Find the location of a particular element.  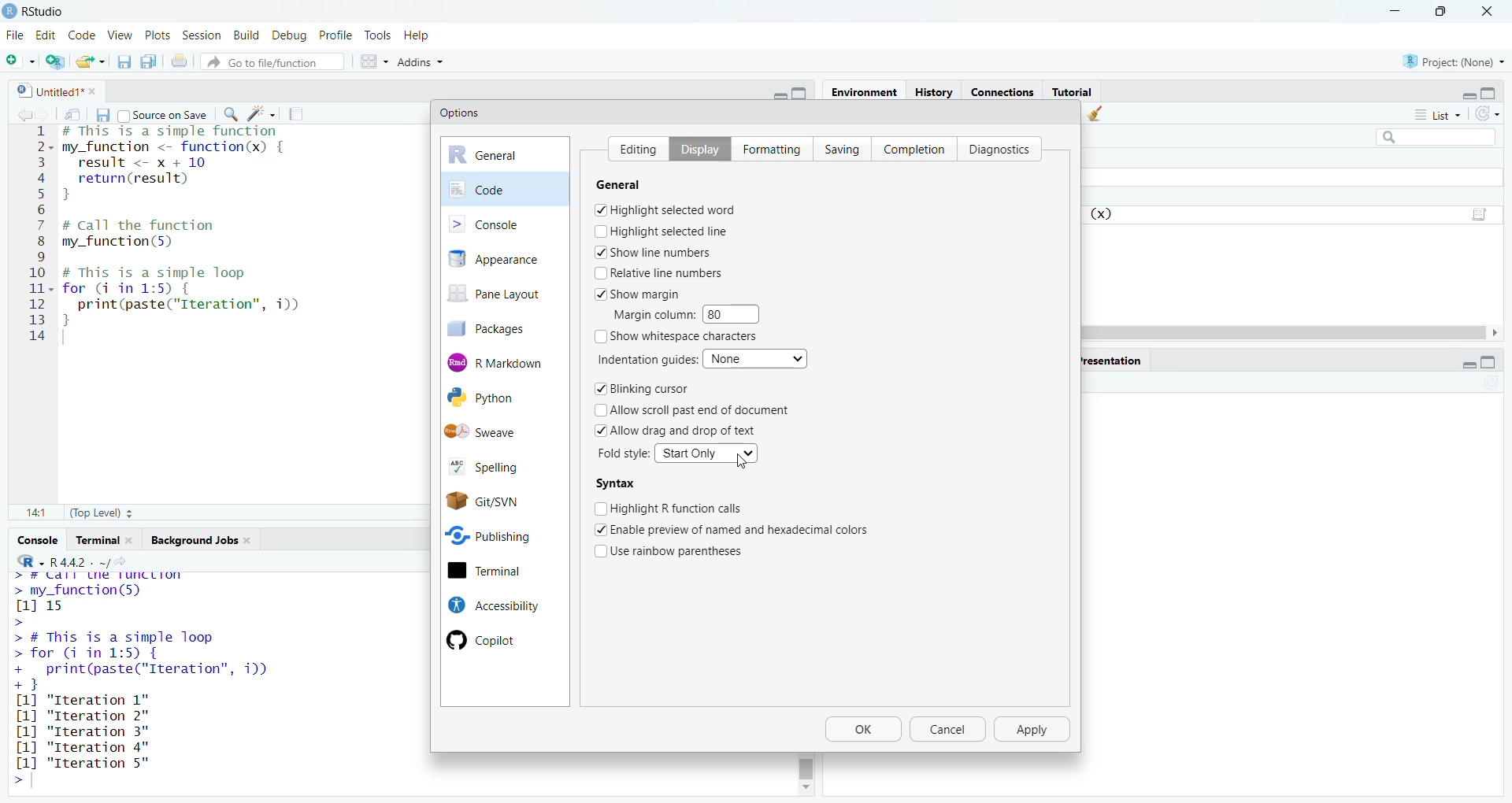

general is located at coordinates (506, 155).